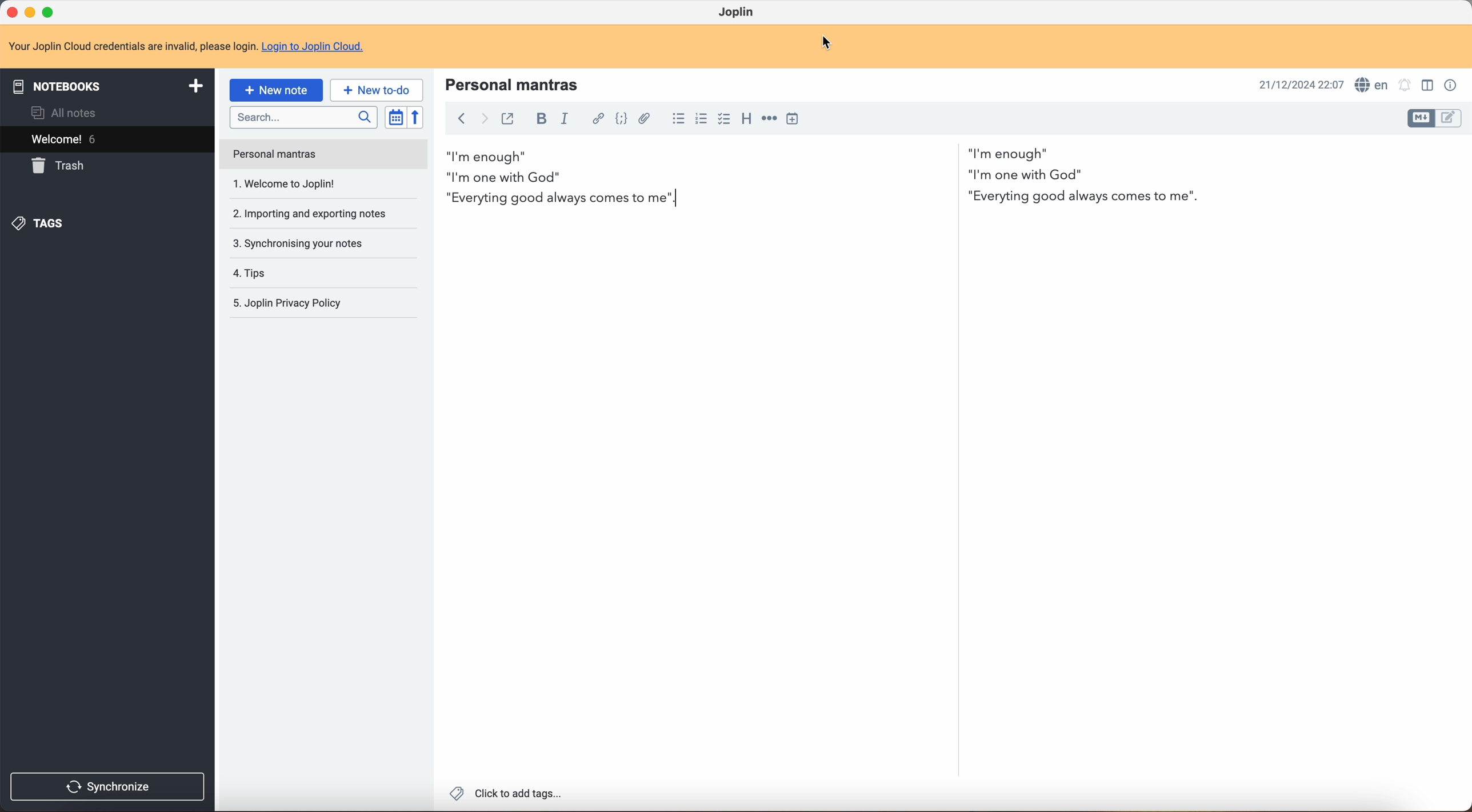 This screenshot has height=812, width=1472. What do you see at coordinates (62, 113) in the screenshot?
I see `all notes` at bounding box center [62, 113].